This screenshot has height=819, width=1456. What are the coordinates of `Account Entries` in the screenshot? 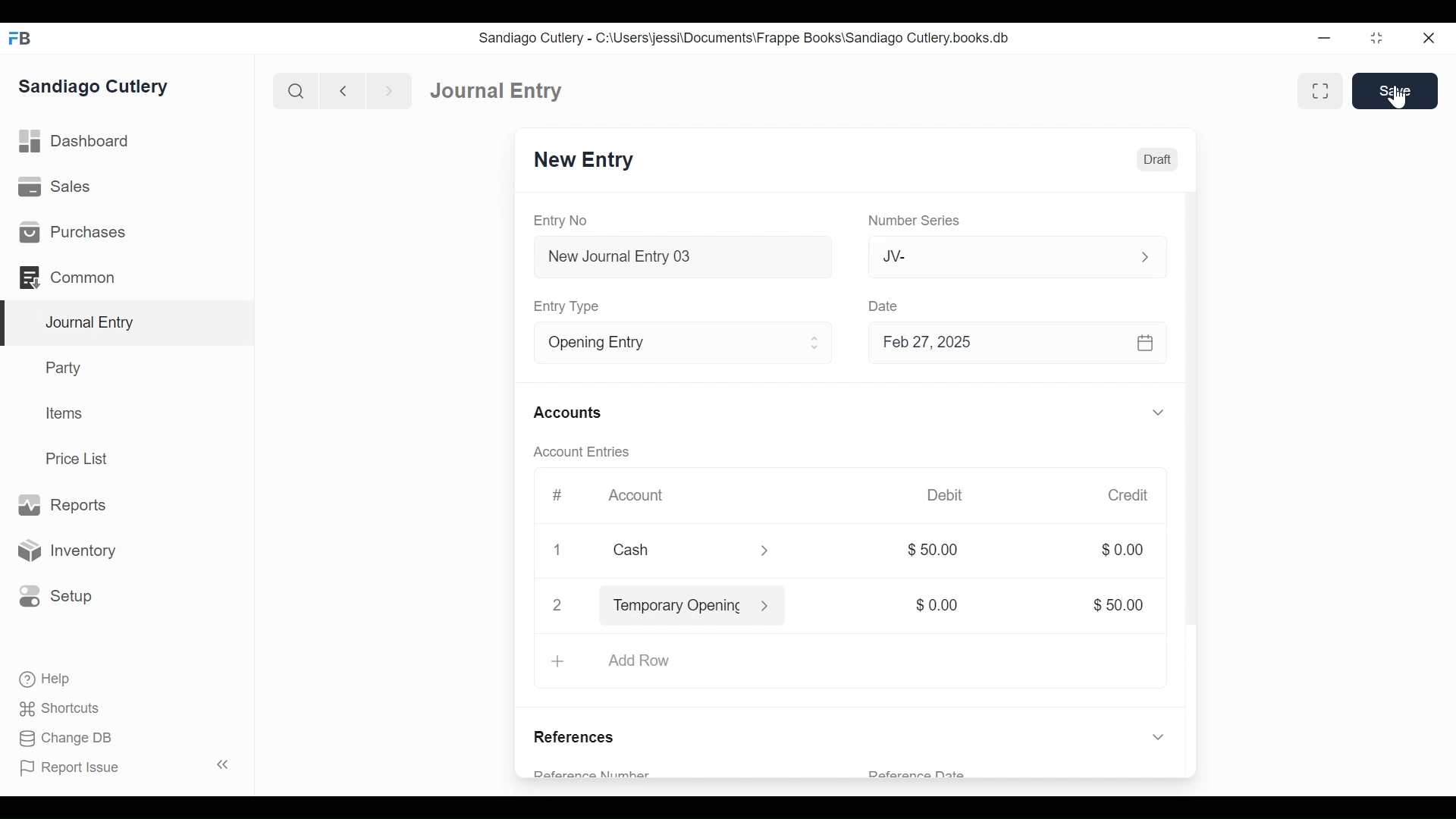 It's located at (580, 452).